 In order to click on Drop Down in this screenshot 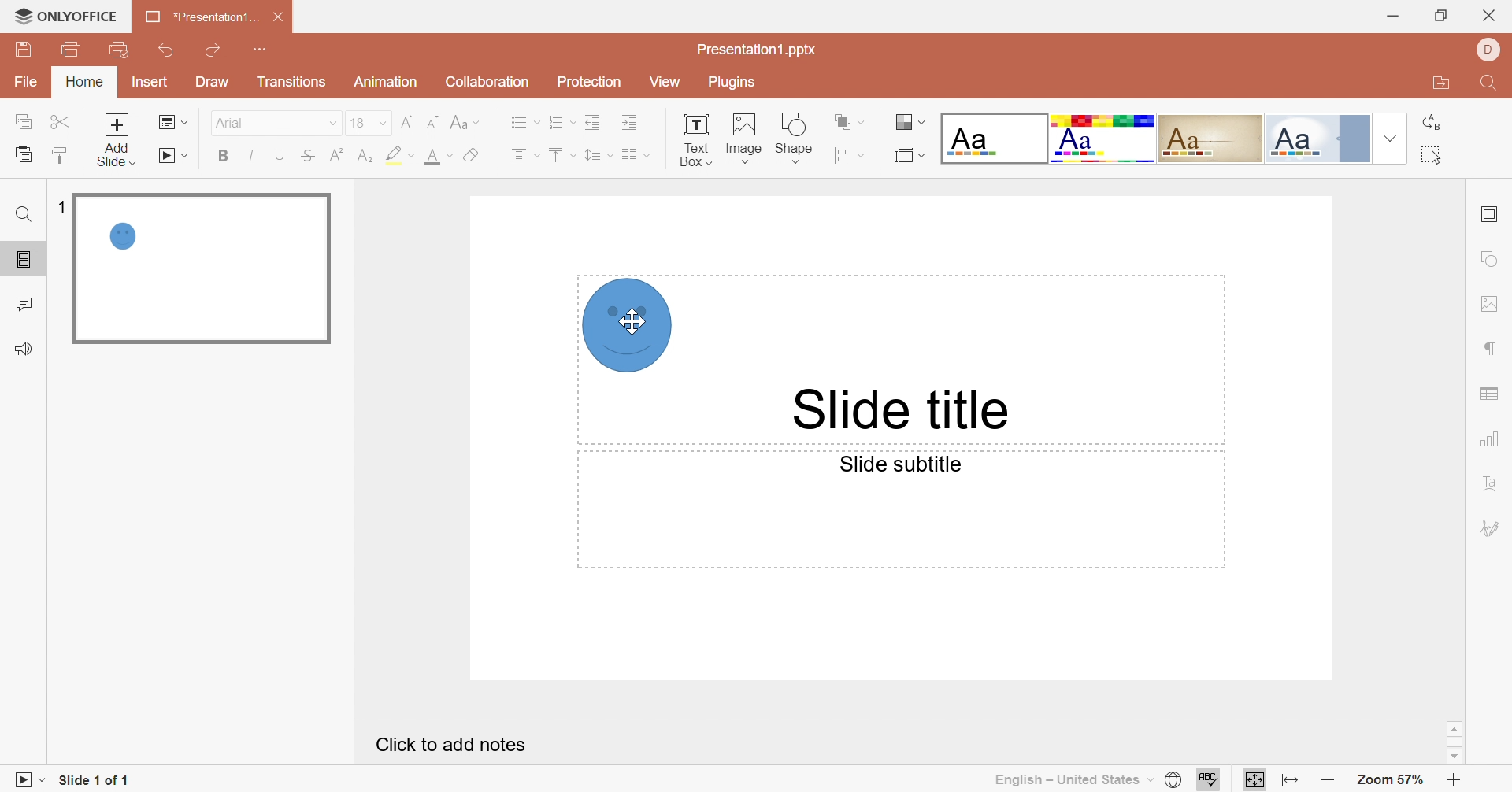, I will do `click(332, 125)`.